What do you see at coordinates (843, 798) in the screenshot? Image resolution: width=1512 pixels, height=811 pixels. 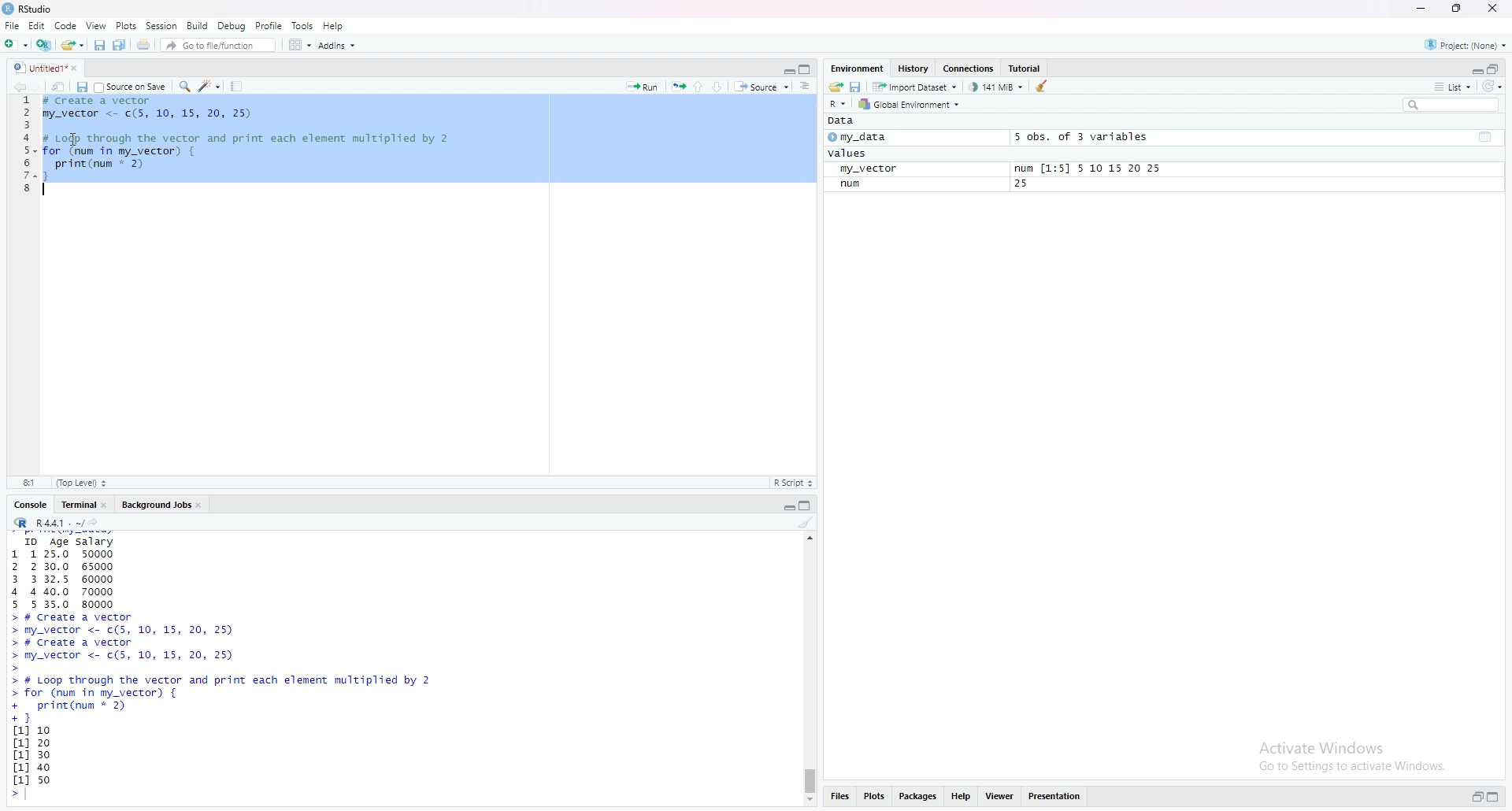 I see `files` at bounding box center [843, 798].